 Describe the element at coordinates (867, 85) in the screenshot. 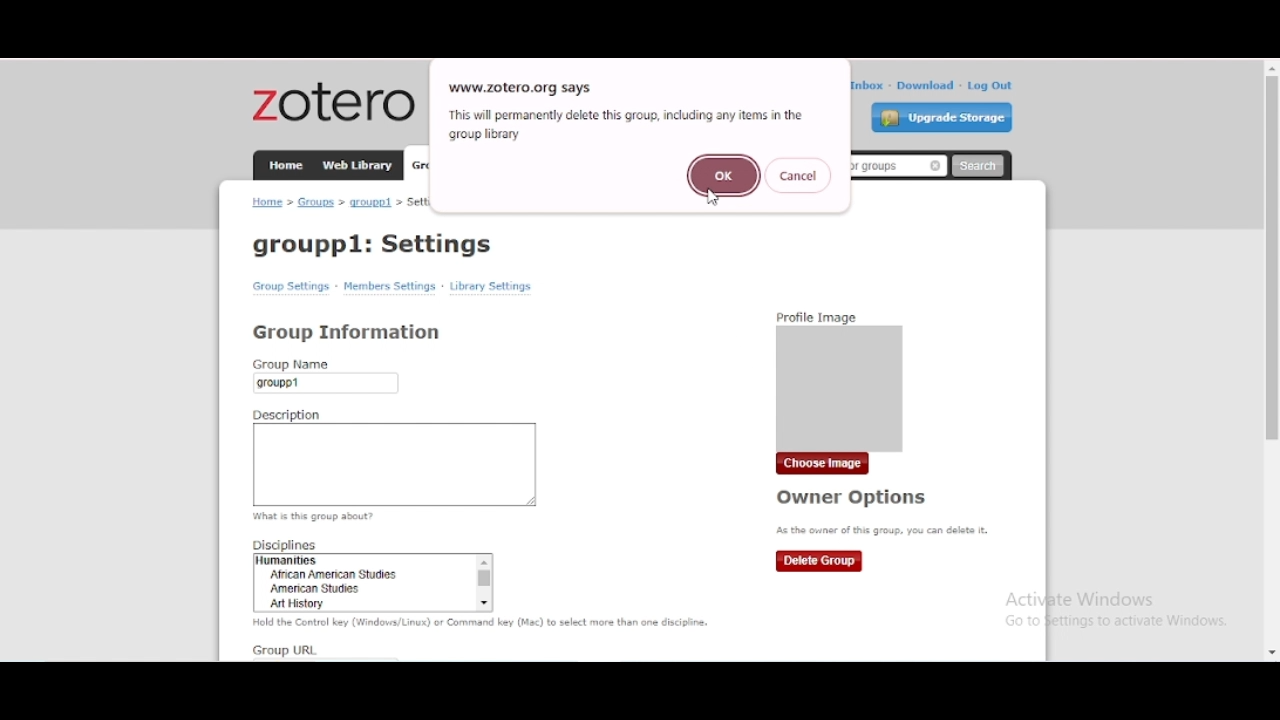

I see `inbox` at that location.